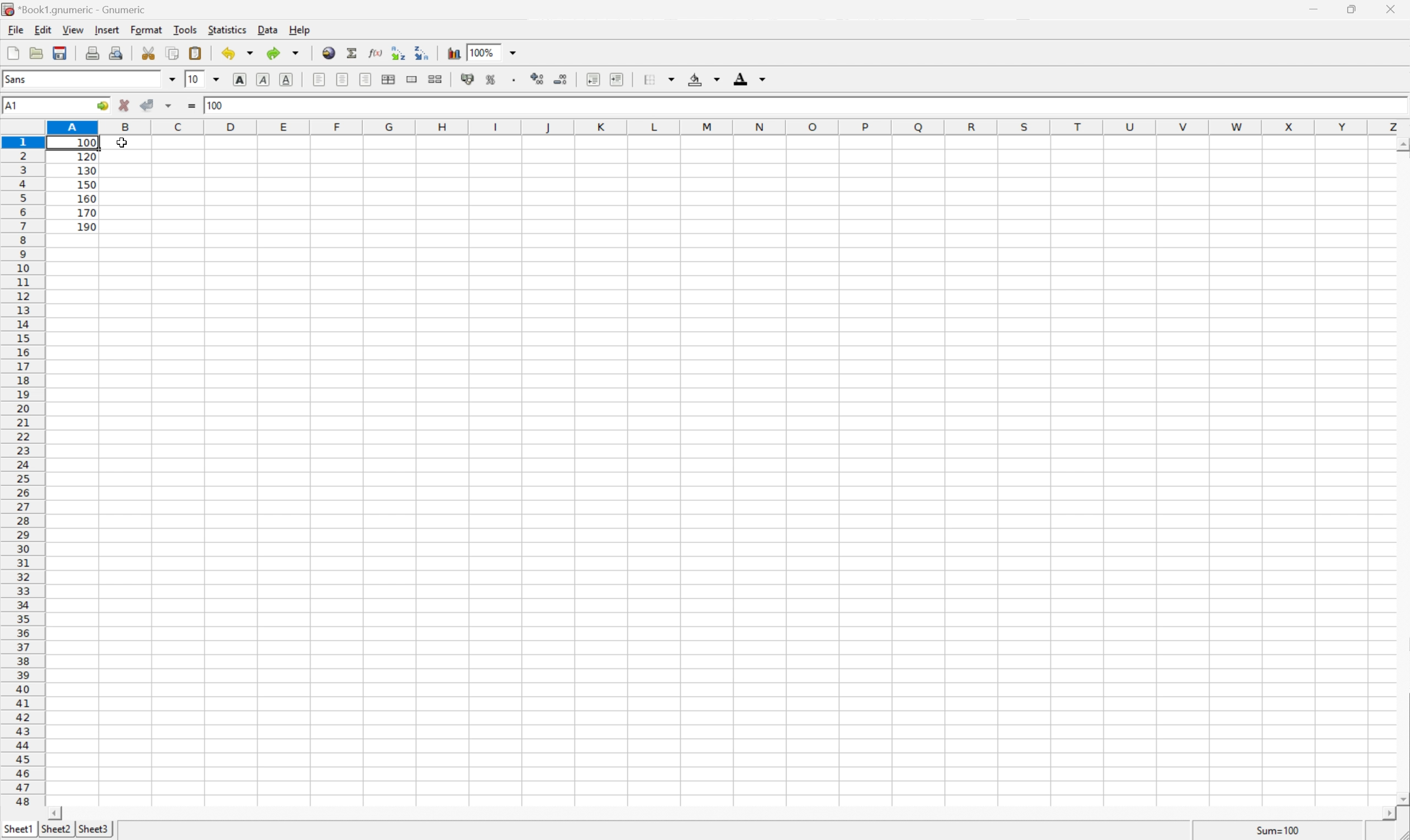  Describe the element at coordinates (87, 142) in the screenshot. I see `100` at that location.